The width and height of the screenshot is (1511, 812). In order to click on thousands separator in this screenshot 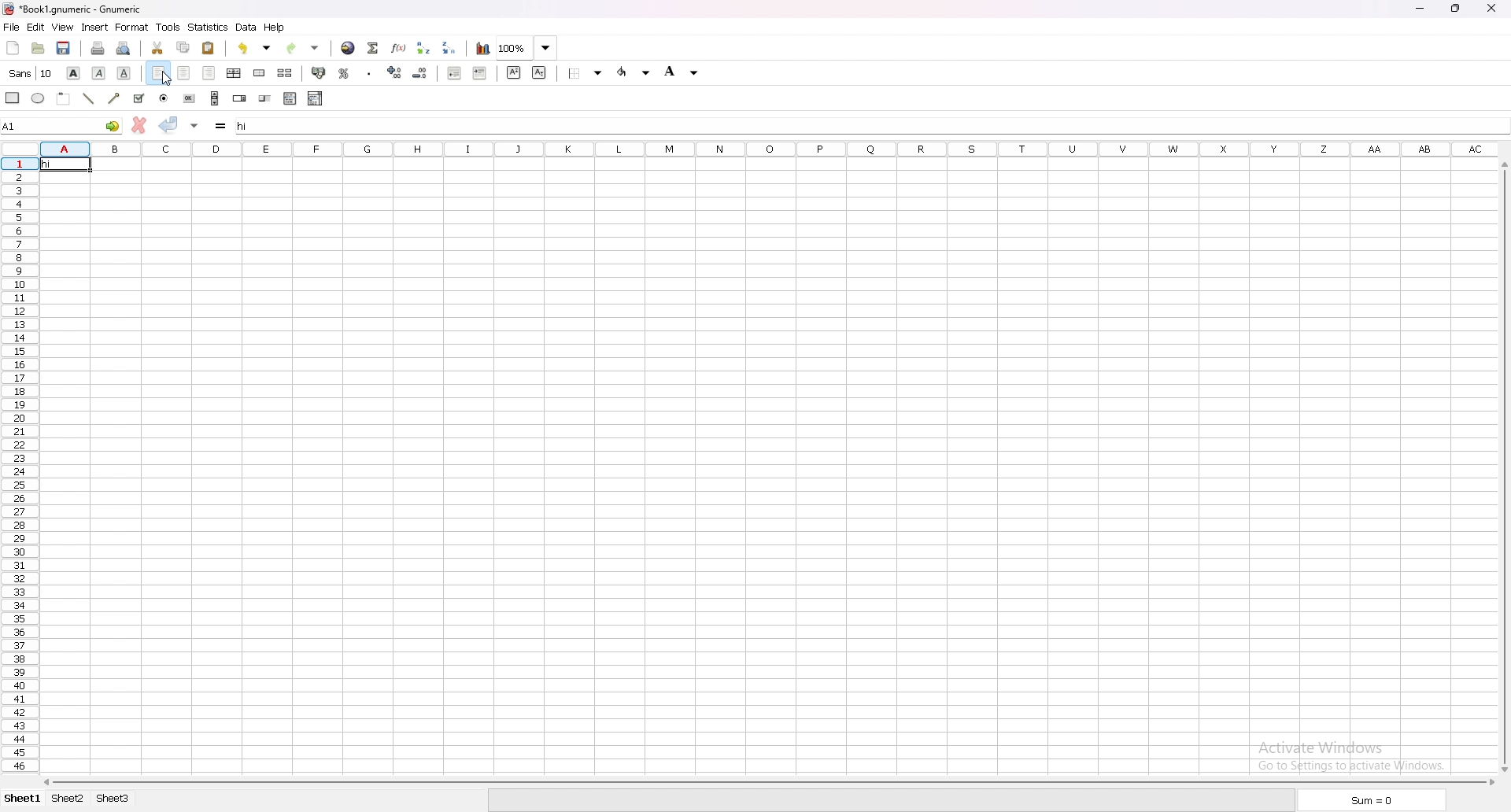, I will do `click(371, 72)`.